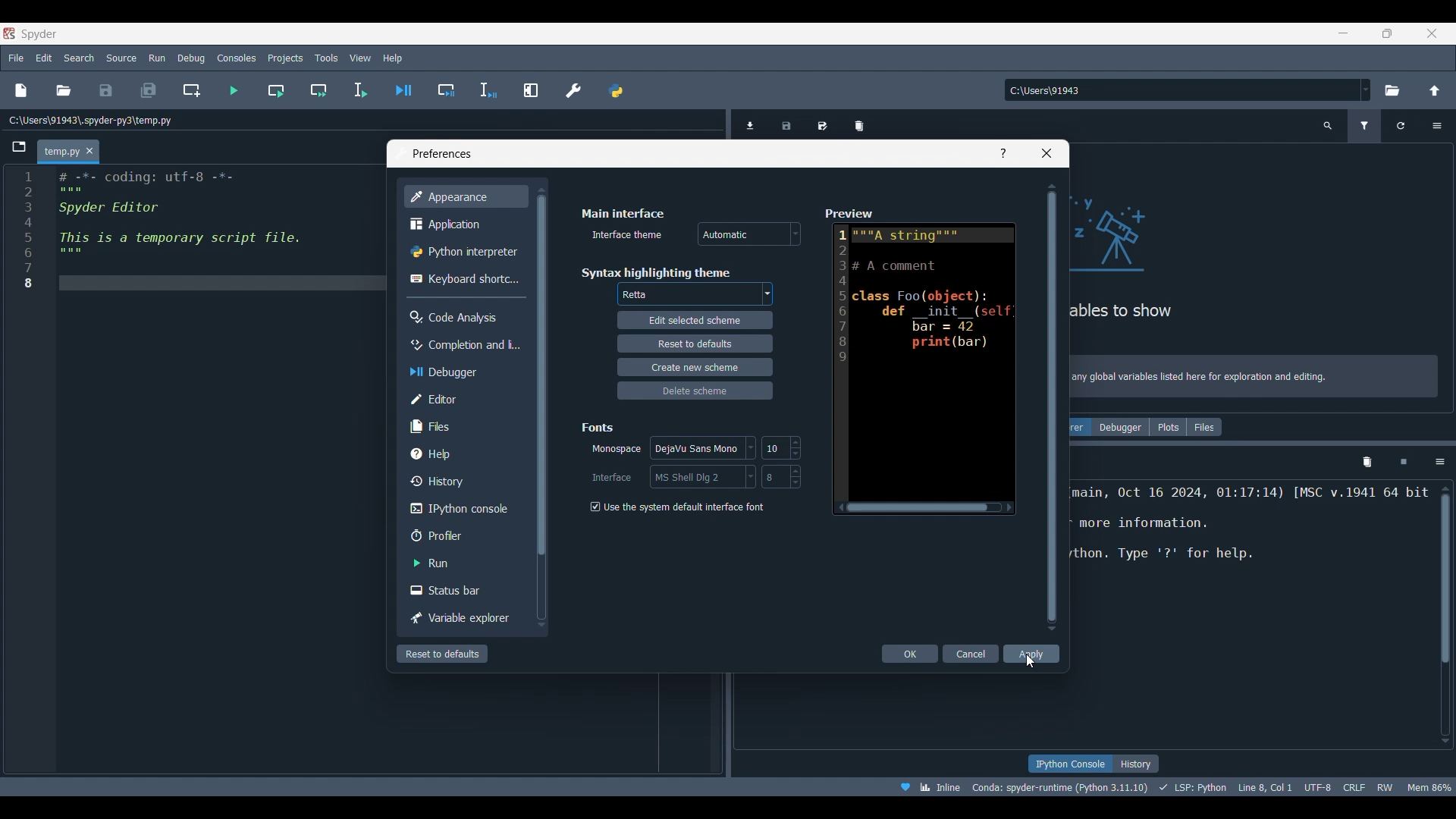  Describe the element at coordinates (91, 121) in the screenshot. I see `Location of current file` at that location.